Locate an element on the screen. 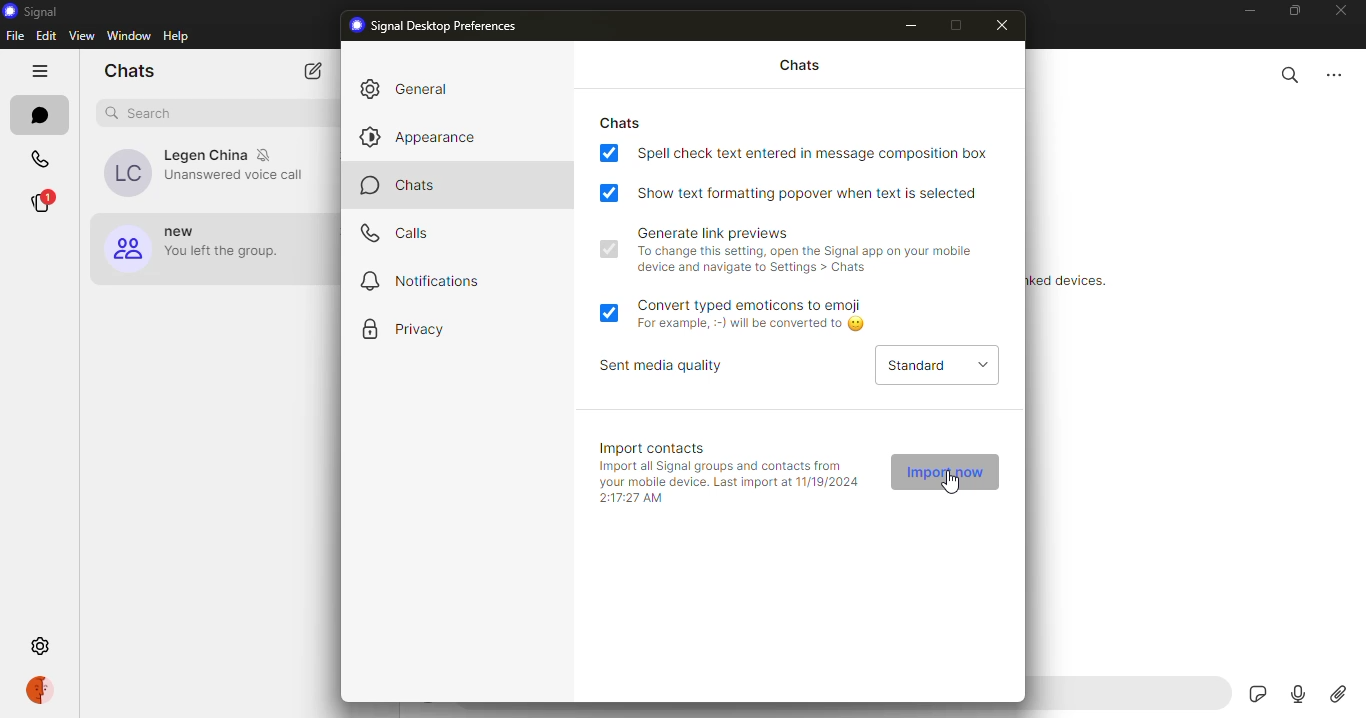 The height and width of the screenshot is (718, 1366). standard is located at coordinates (910, 366).